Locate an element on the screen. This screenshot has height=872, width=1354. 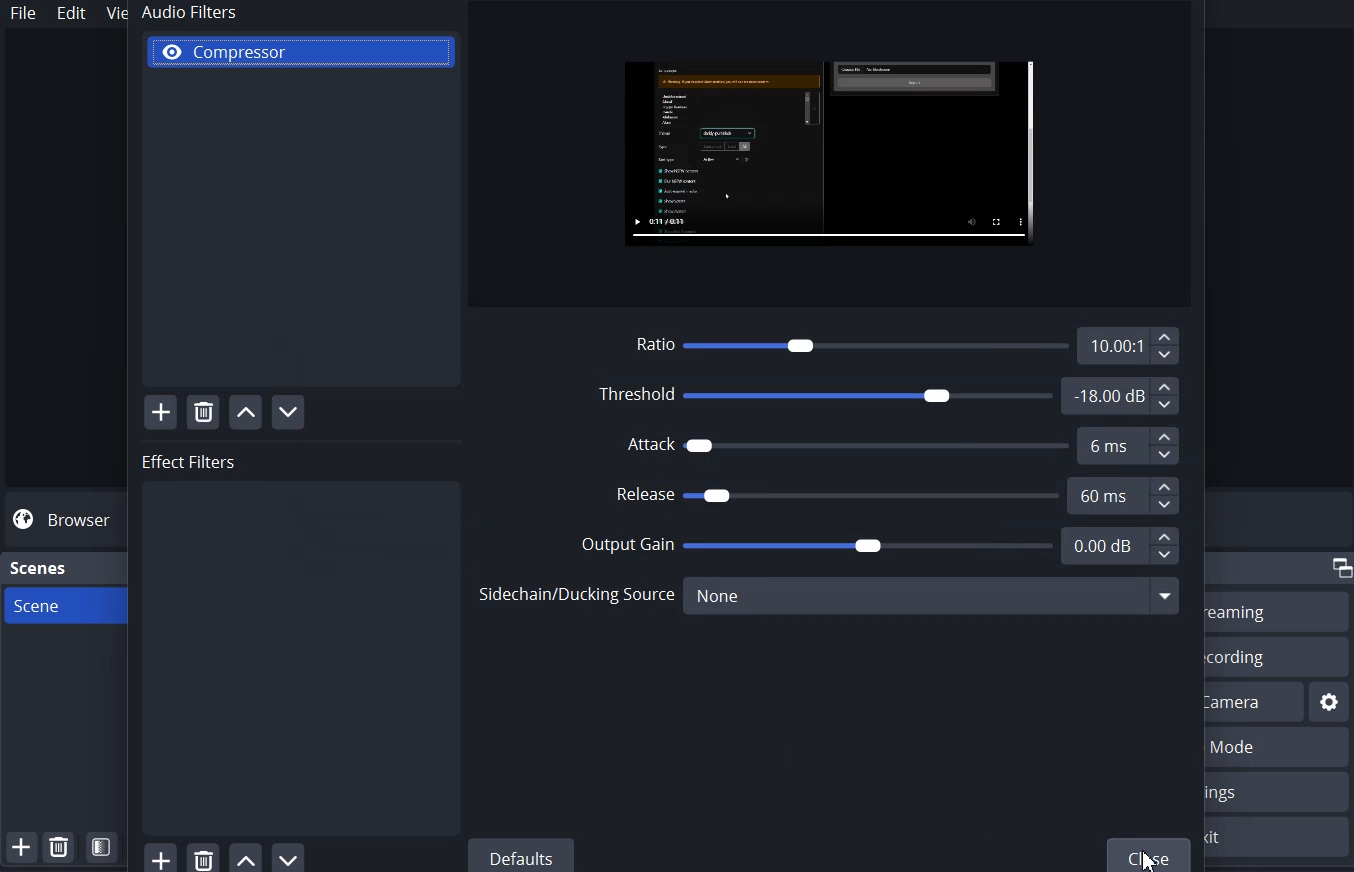
Attack 6 ms is located at coordinates (898, 446).